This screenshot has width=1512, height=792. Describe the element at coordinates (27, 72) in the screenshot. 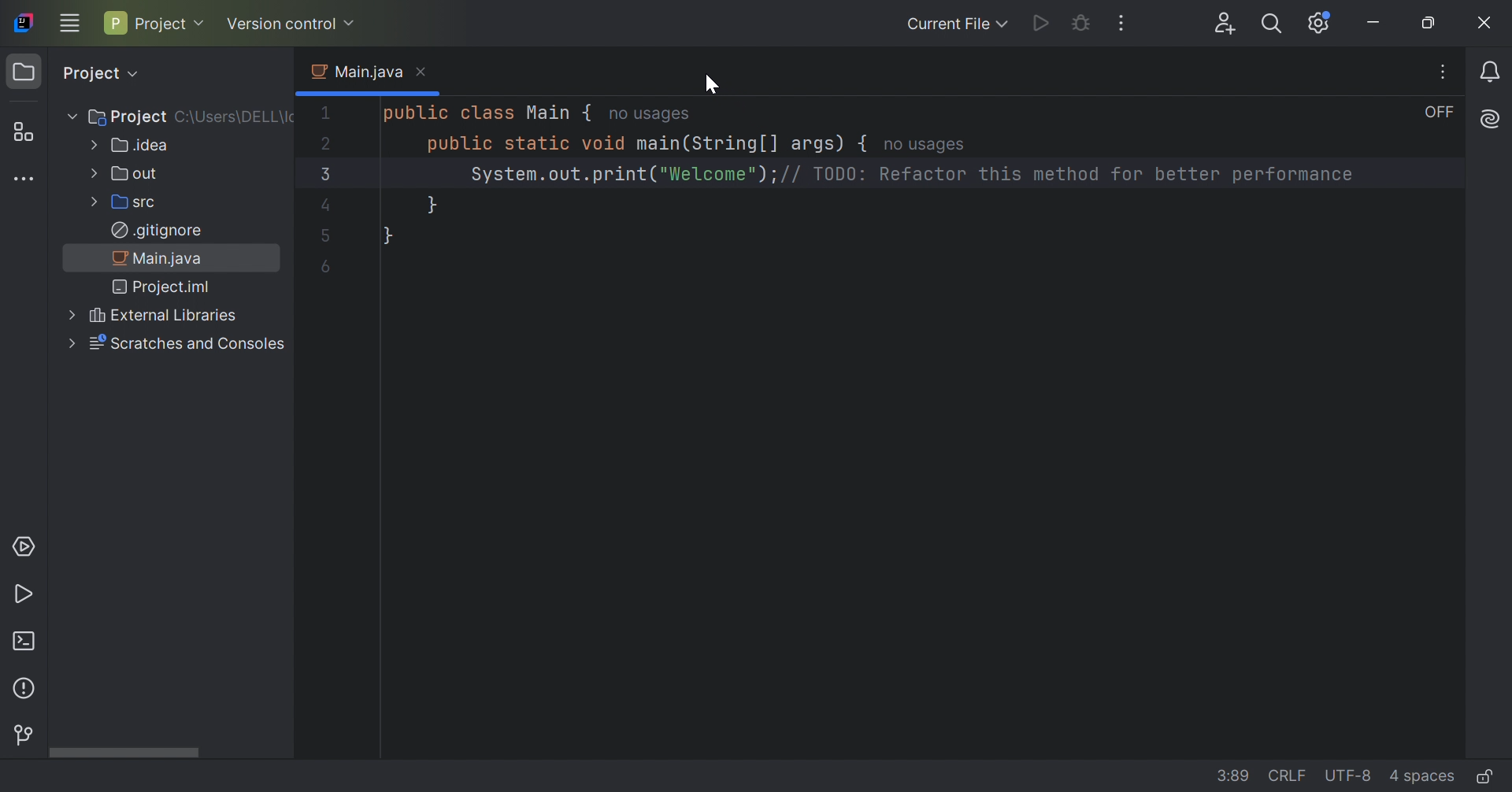

I see `Project` at that location.